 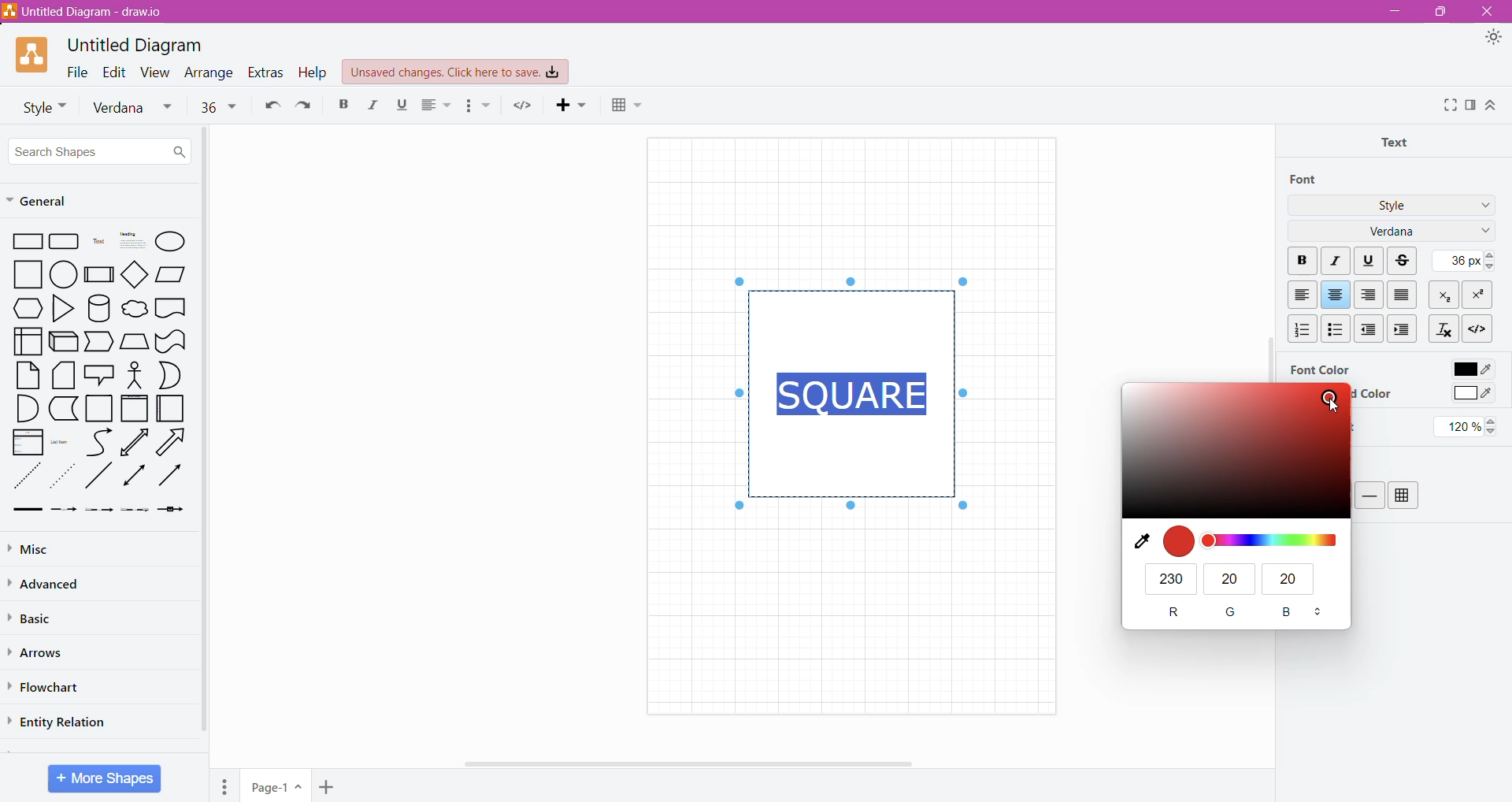 What do you see at coordinates (48, 688) in the screenshot?
I see `Flowchart` at bounding box center [48, 688].